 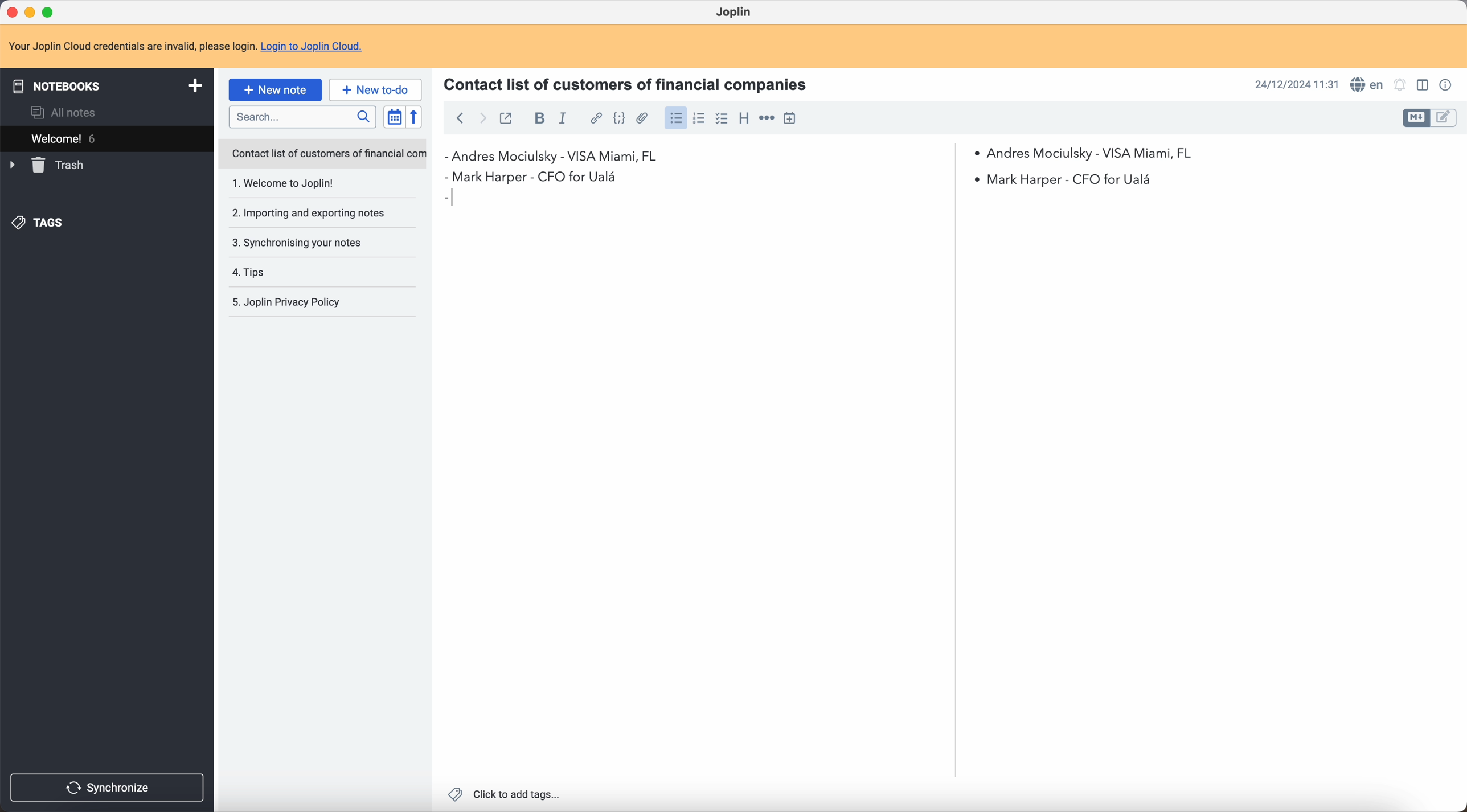 What do you see at coordinates (1400, 85) in the screenshot?
I see `set notifications` at bounding box center [1400, 85].